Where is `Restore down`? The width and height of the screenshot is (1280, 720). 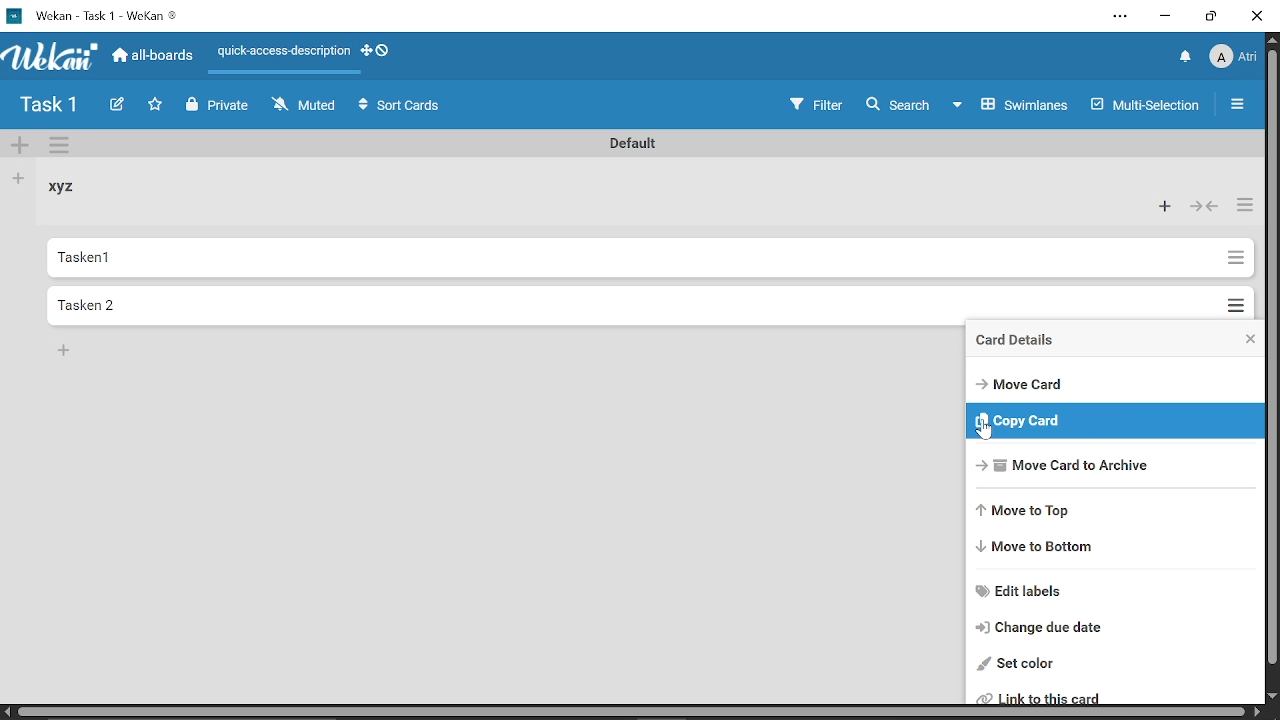
Restore down is located at coordinates (1208, 17).